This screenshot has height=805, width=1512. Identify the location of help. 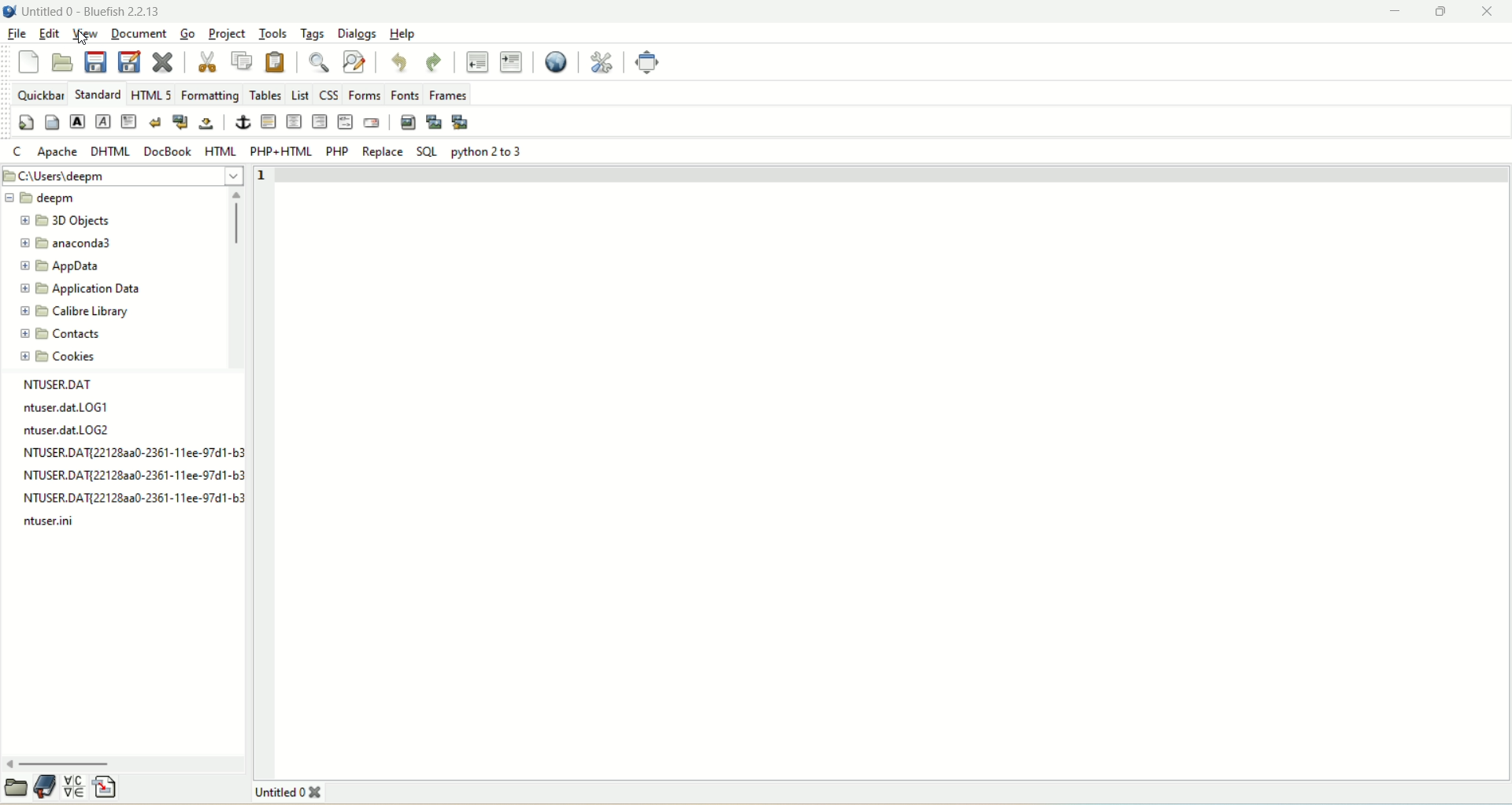
(402, 35).